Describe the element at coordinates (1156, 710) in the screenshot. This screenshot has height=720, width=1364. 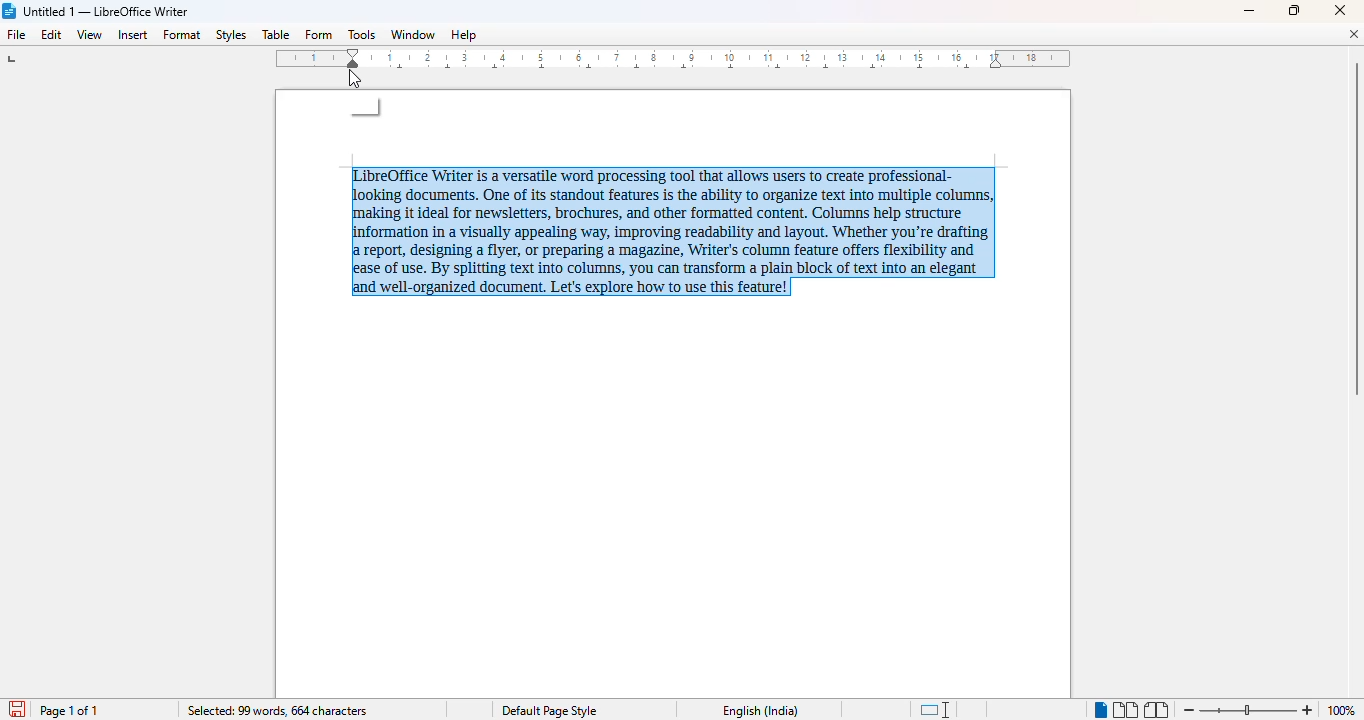
I see `book view` at that location.